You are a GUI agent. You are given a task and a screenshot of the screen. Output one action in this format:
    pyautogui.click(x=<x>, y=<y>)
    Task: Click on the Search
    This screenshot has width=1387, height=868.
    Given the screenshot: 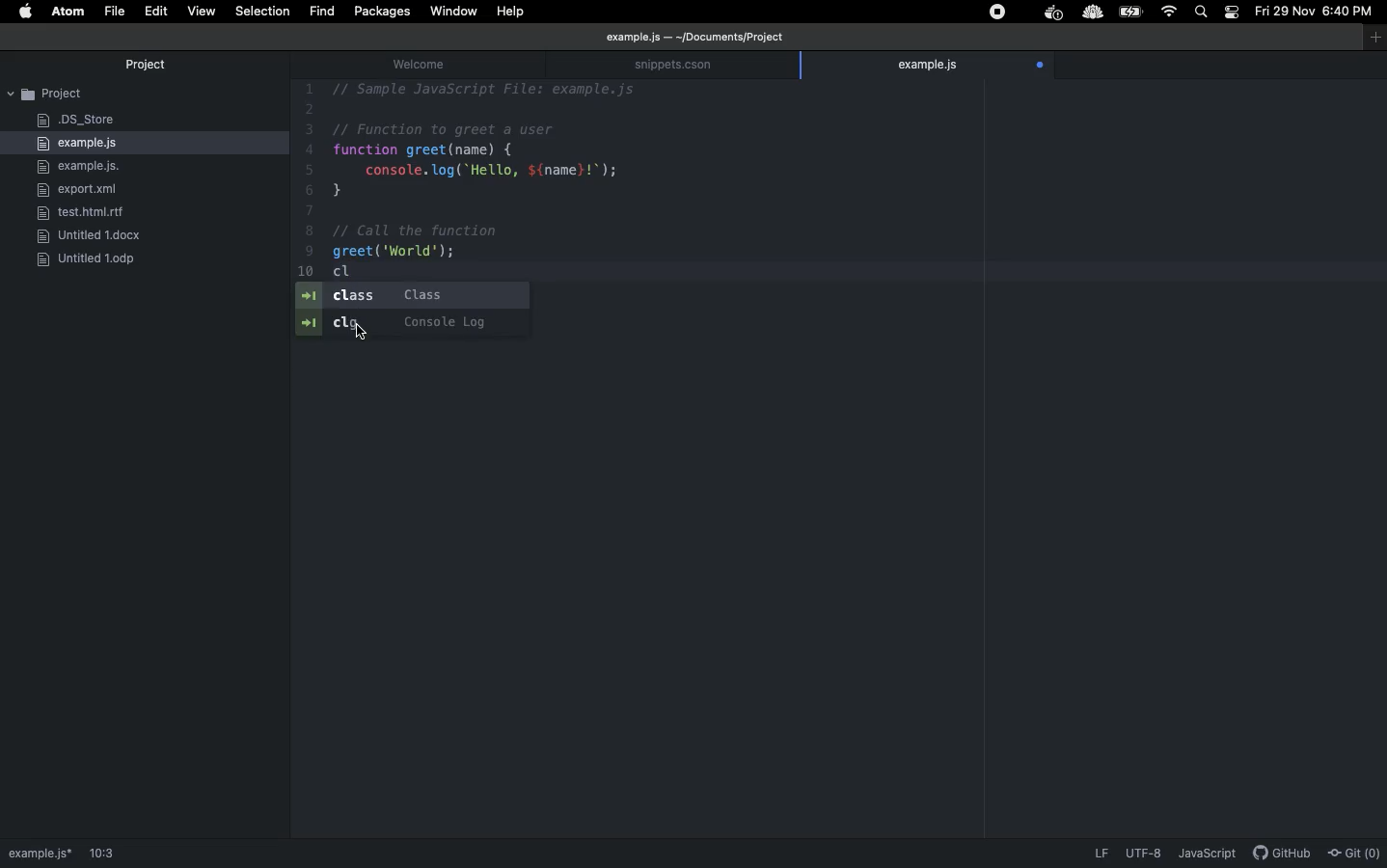 What is the action you would take?
    pyautogui.click(x=1204, y=12)
    